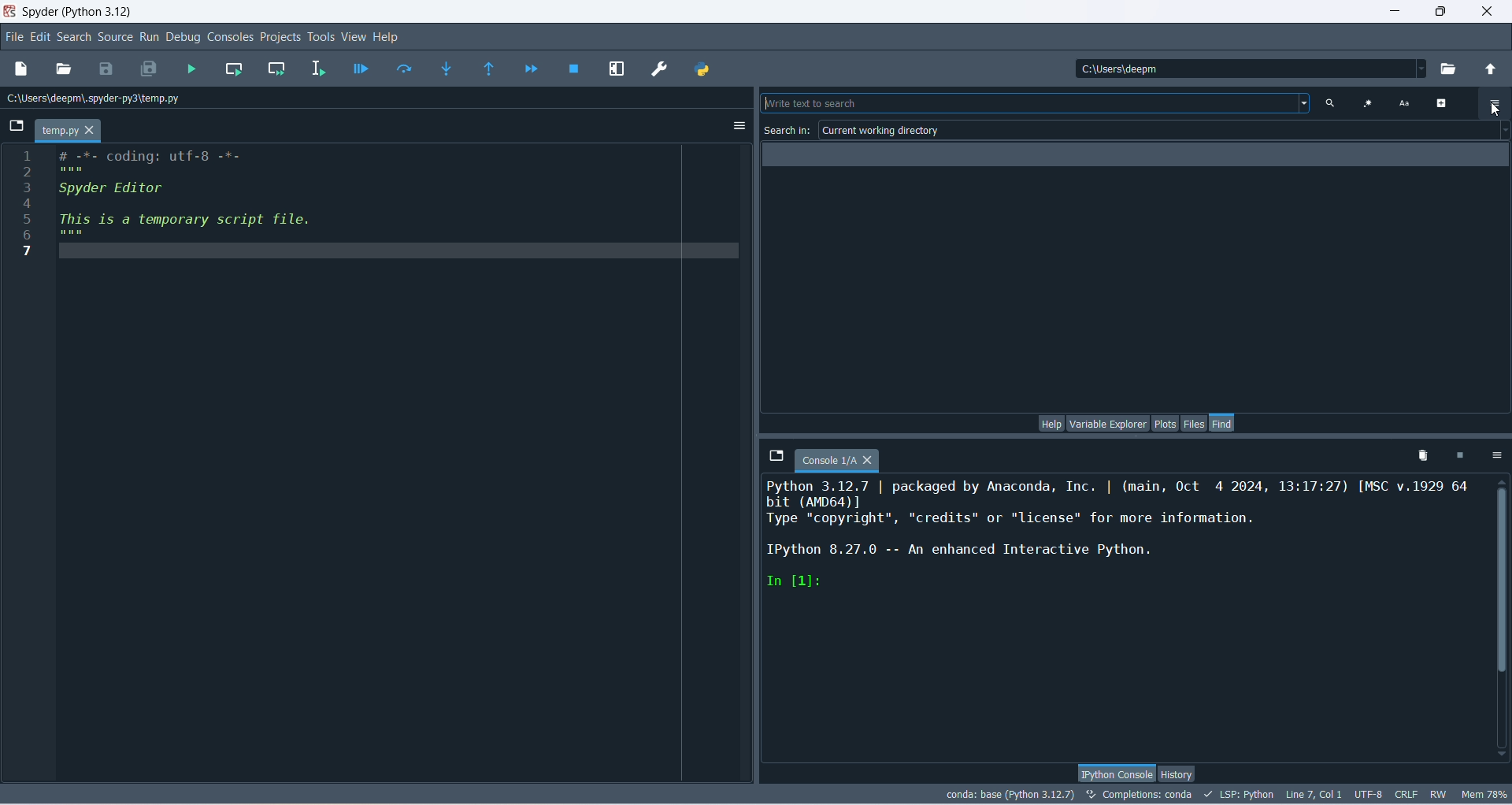 Image resolution: width=1512 pixels, height=805 pixels. What do you see at coordinates (150, 69) in the screenshot?
I see `save all files` at bounding box center [150, 69].